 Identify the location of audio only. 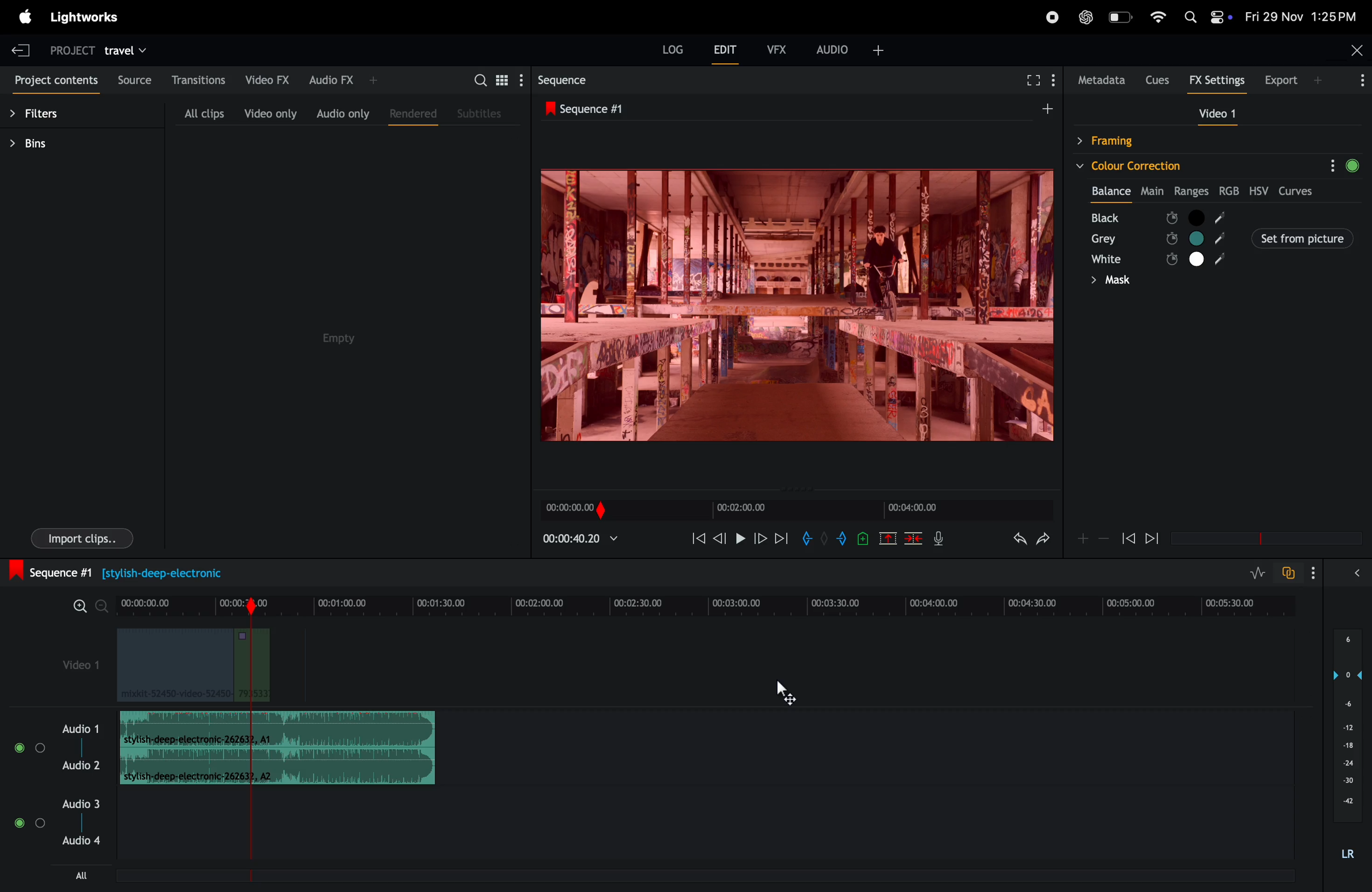
(341, 112).